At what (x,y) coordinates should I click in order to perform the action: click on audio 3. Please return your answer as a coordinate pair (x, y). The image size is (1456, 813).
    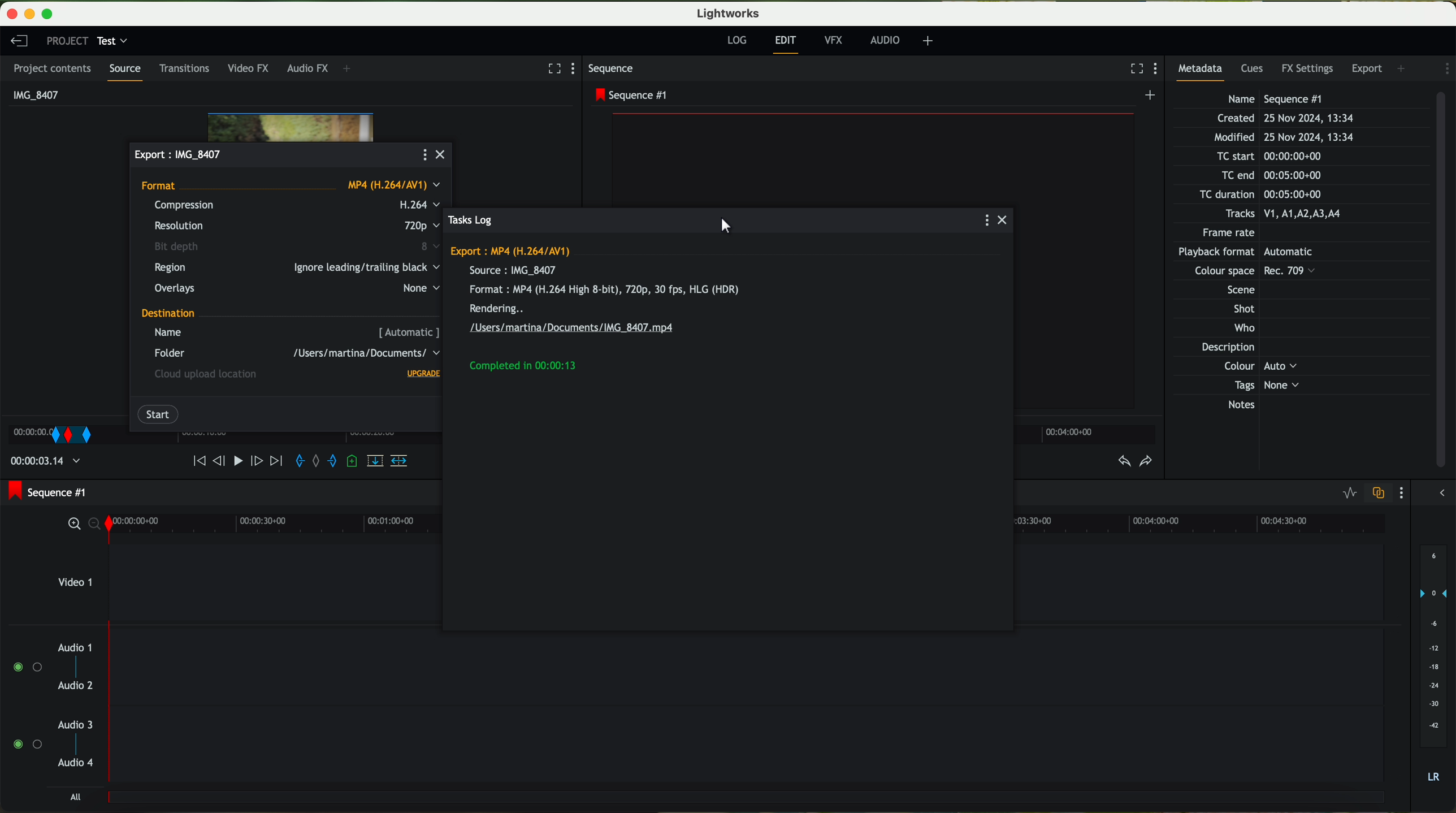
    Looking at the image, I should click on (76, 724).